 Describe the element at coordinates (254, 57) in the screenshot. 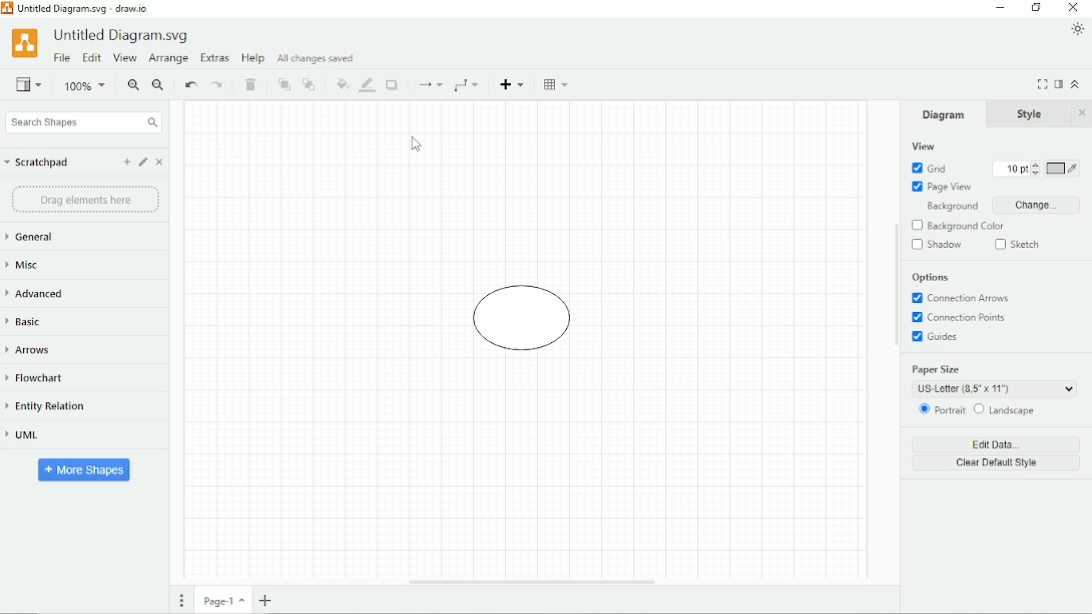

I see `Help` at that location.